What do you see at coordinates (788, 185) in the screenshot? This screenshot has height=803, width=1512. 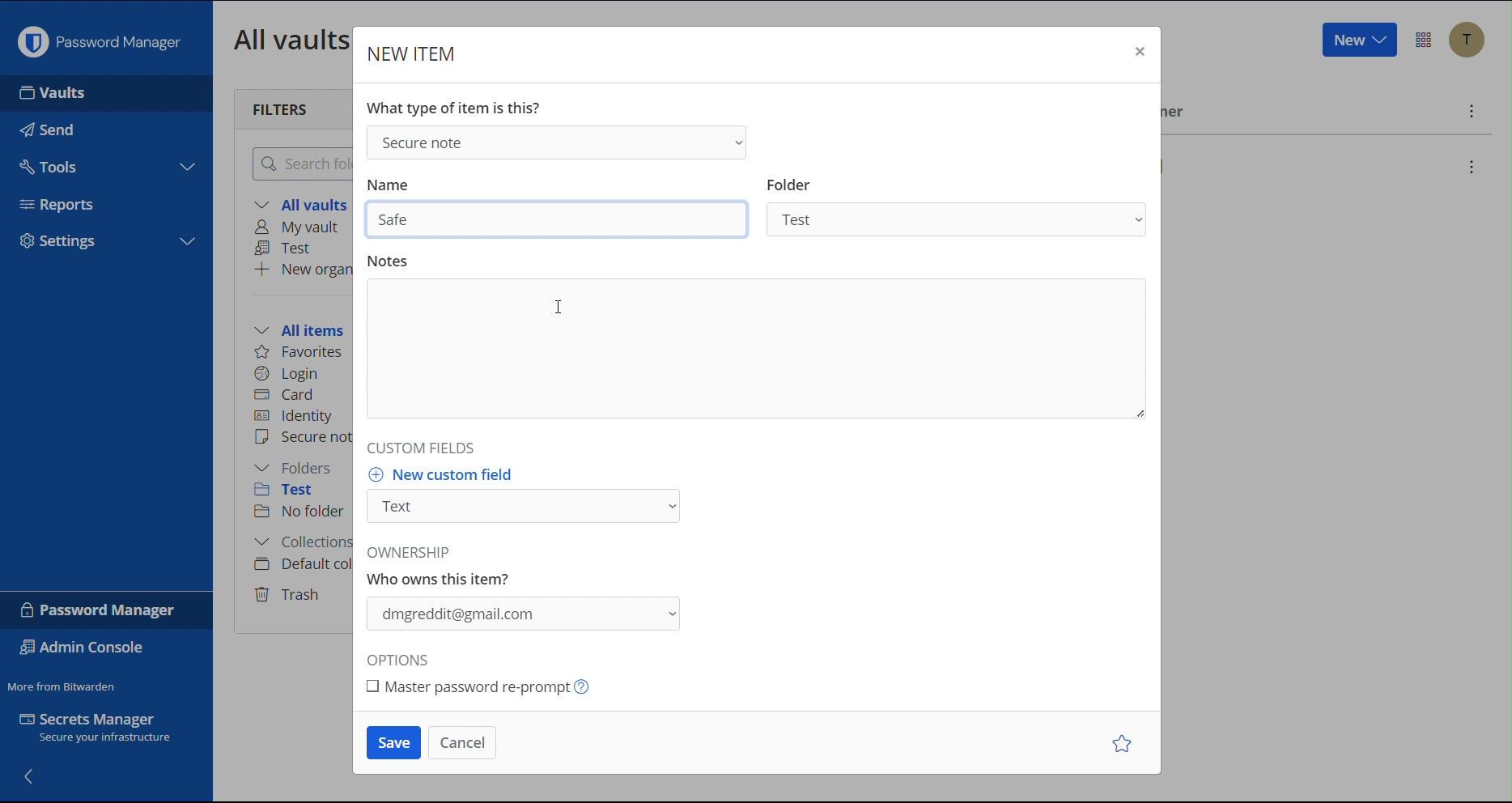 I see `folder` at bounding box center [788, 185].